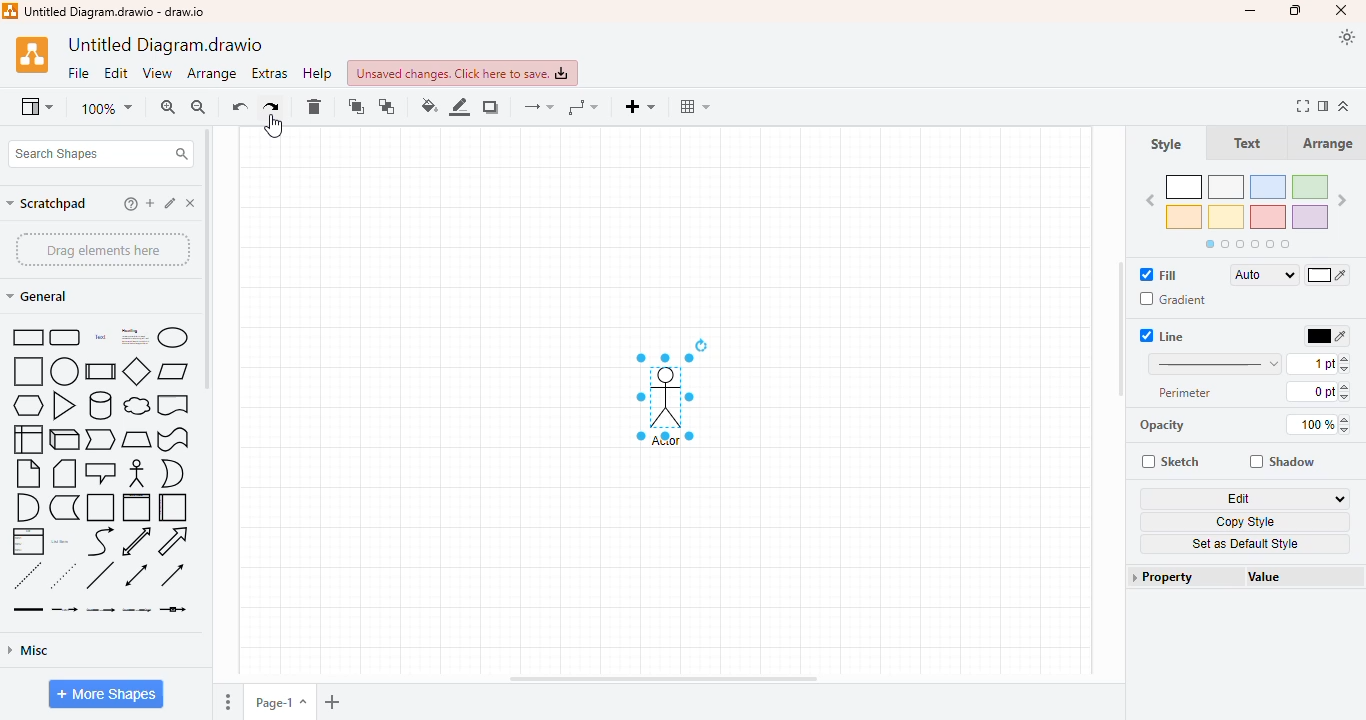  I want to click on style, so click(1166, 145).